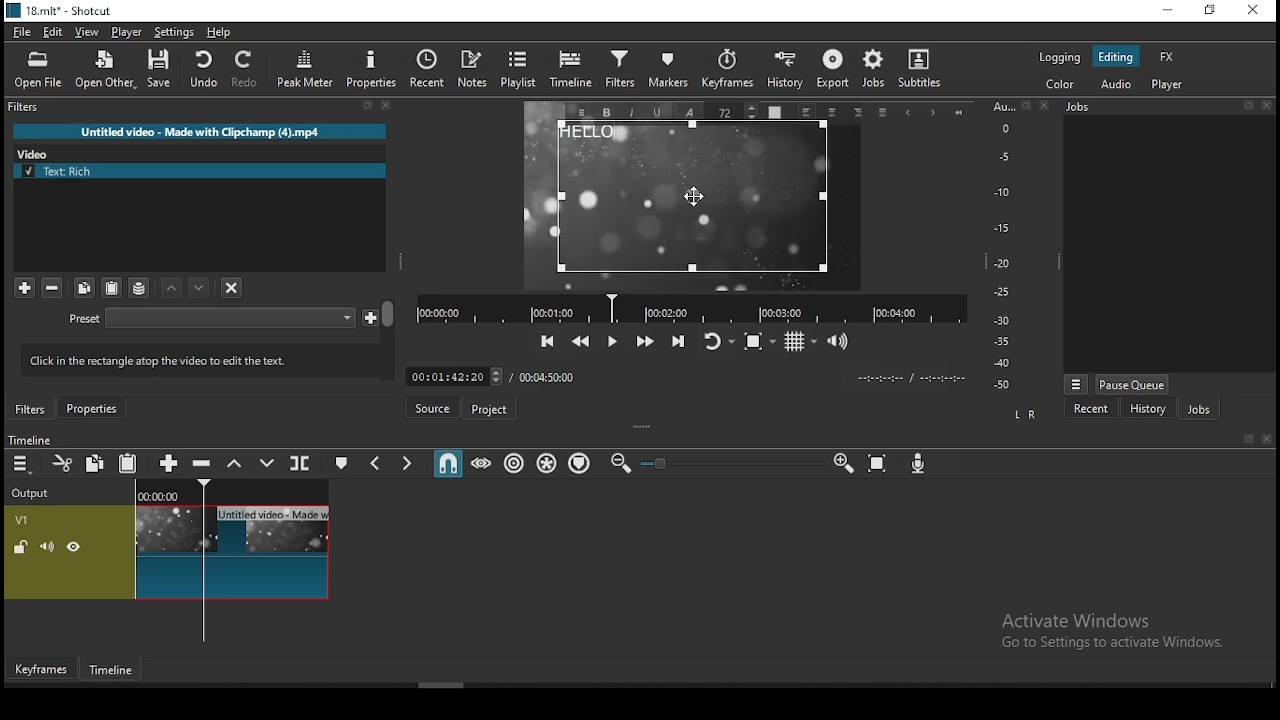 The image size is (1280, 720). Describe the element at coordinates (230, 318) in the screenshot. I see `Preset Selection` at that location.